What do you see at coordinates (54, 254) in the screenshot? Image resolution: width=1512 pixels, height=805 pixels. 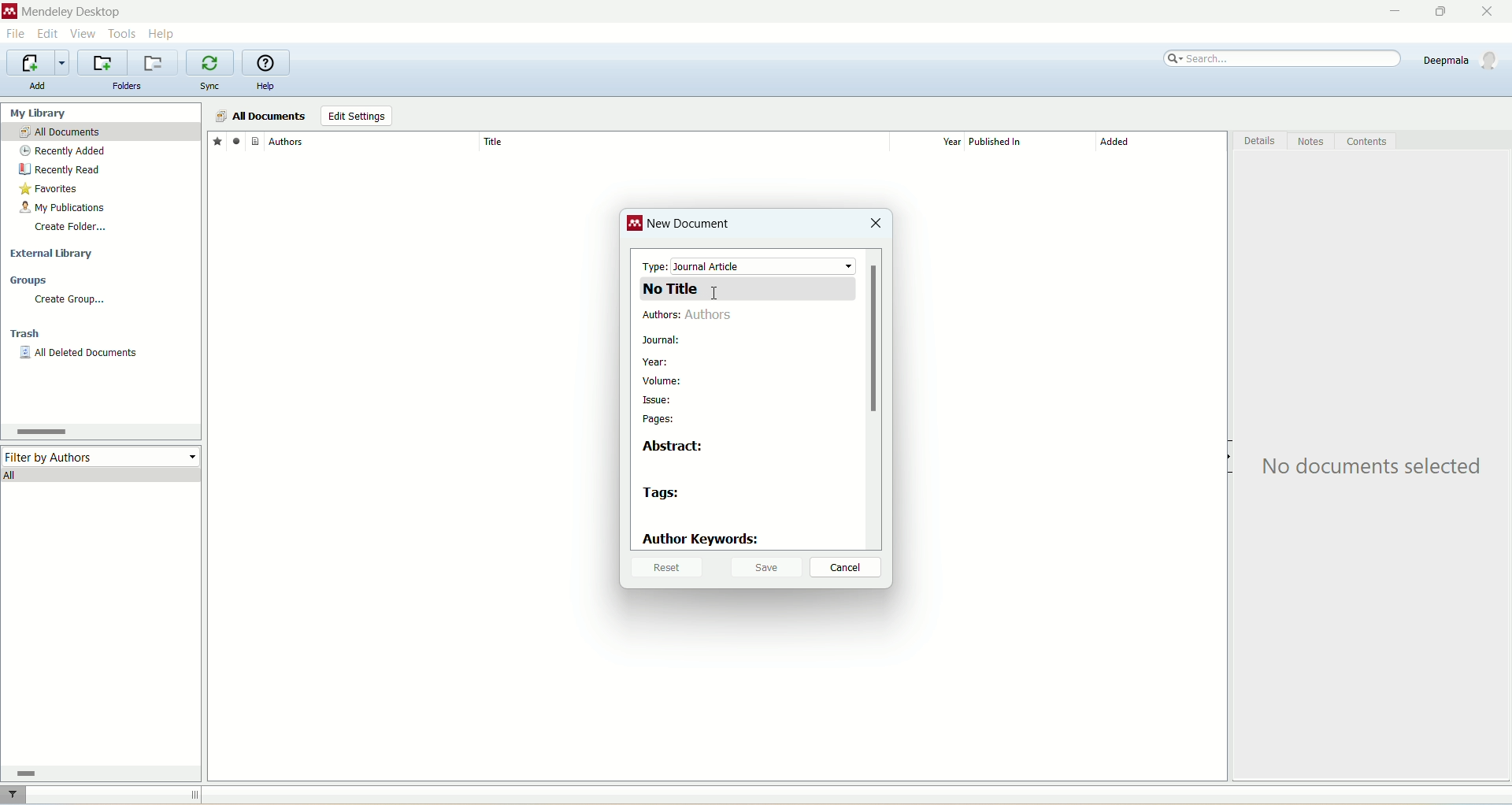 I see `external library` at bounding box center [54, 254].